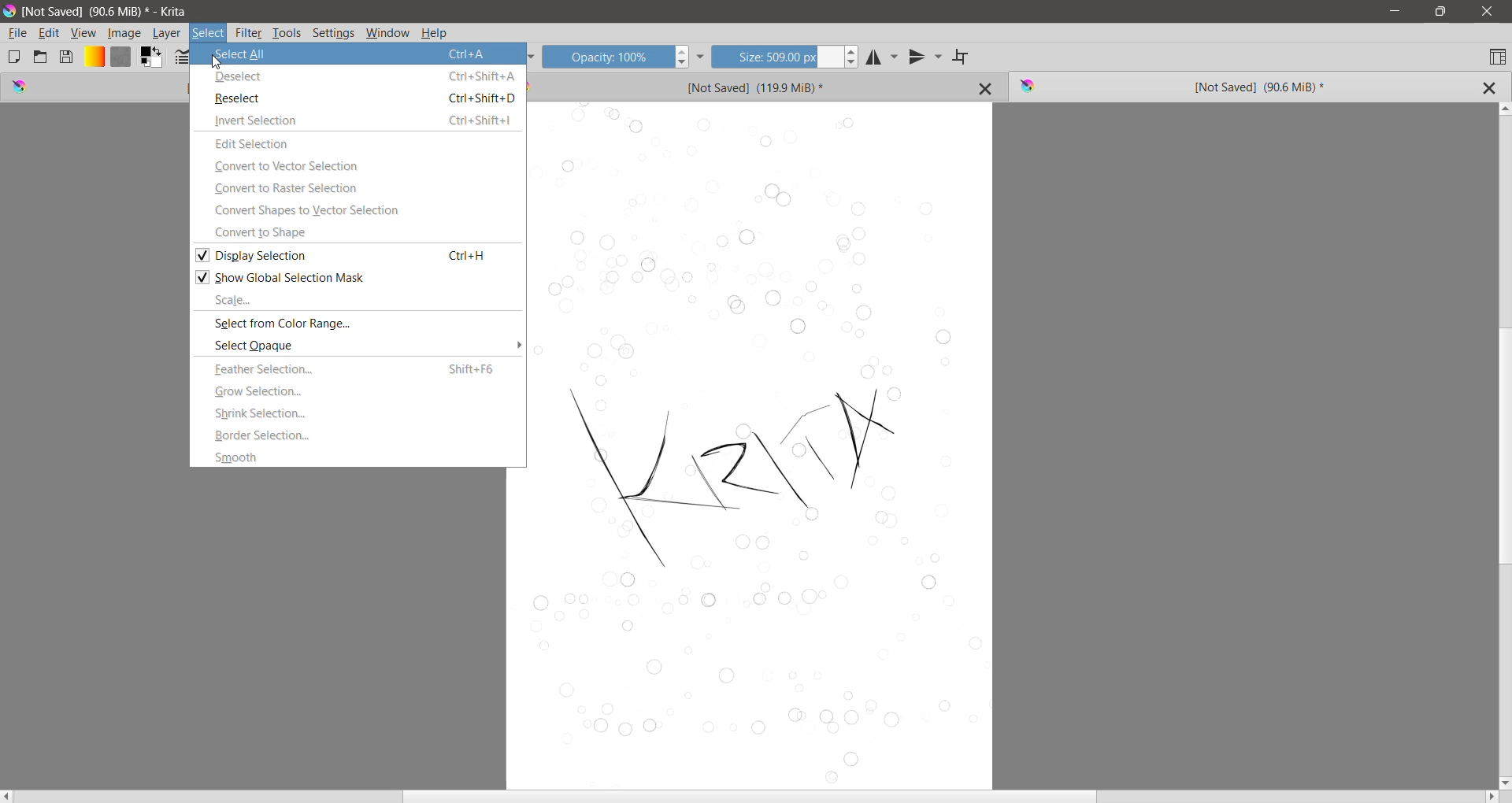 The height and width of the screenshot is (803, 1512). Describe the element at coordinates (883, 56) in the screenshot. I see `Horizontal Mirror Tool` at that location.